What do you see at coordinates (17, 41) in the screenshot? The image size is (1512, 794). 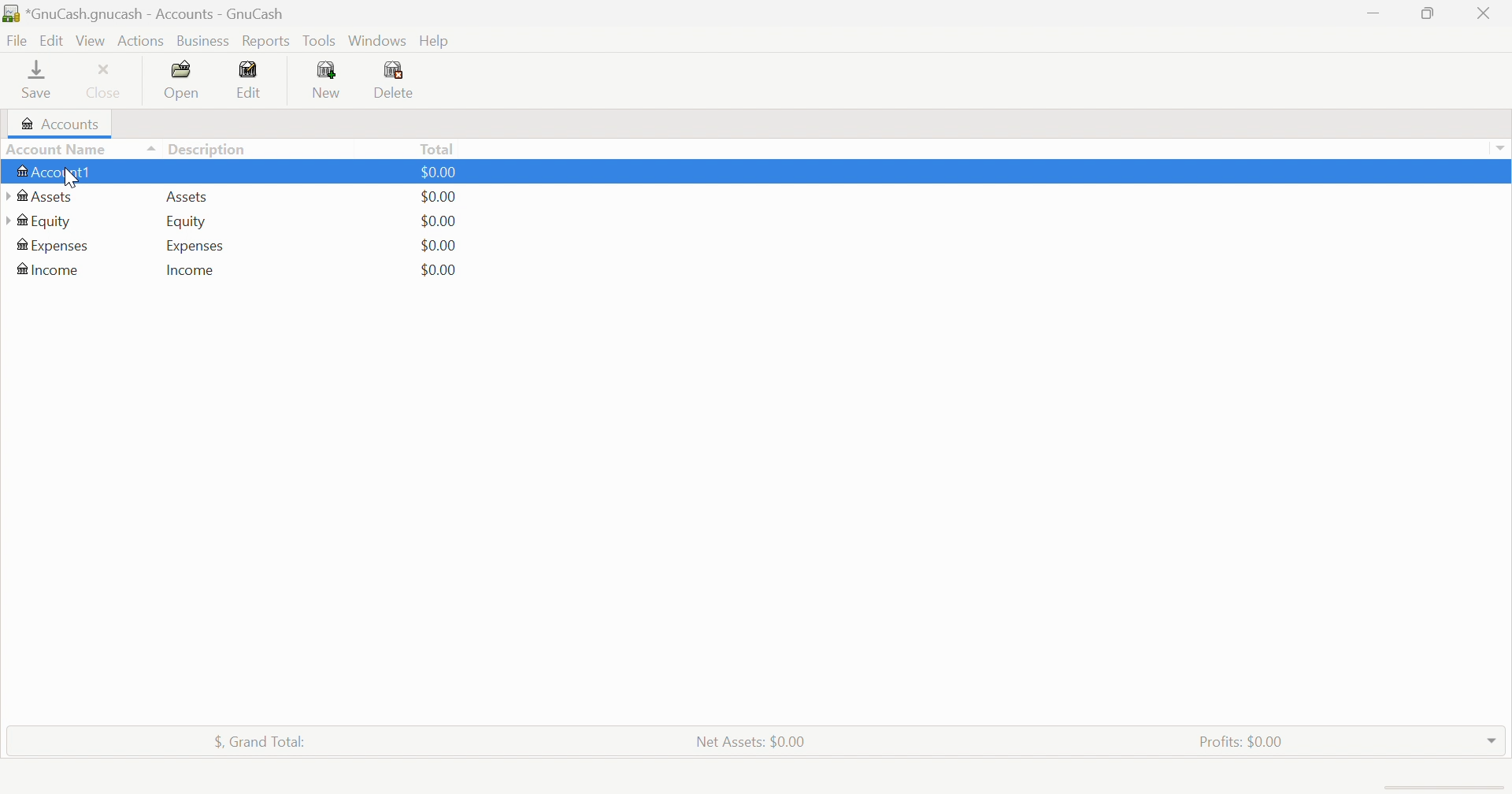 I see `File` at bounding box center [17, 41].